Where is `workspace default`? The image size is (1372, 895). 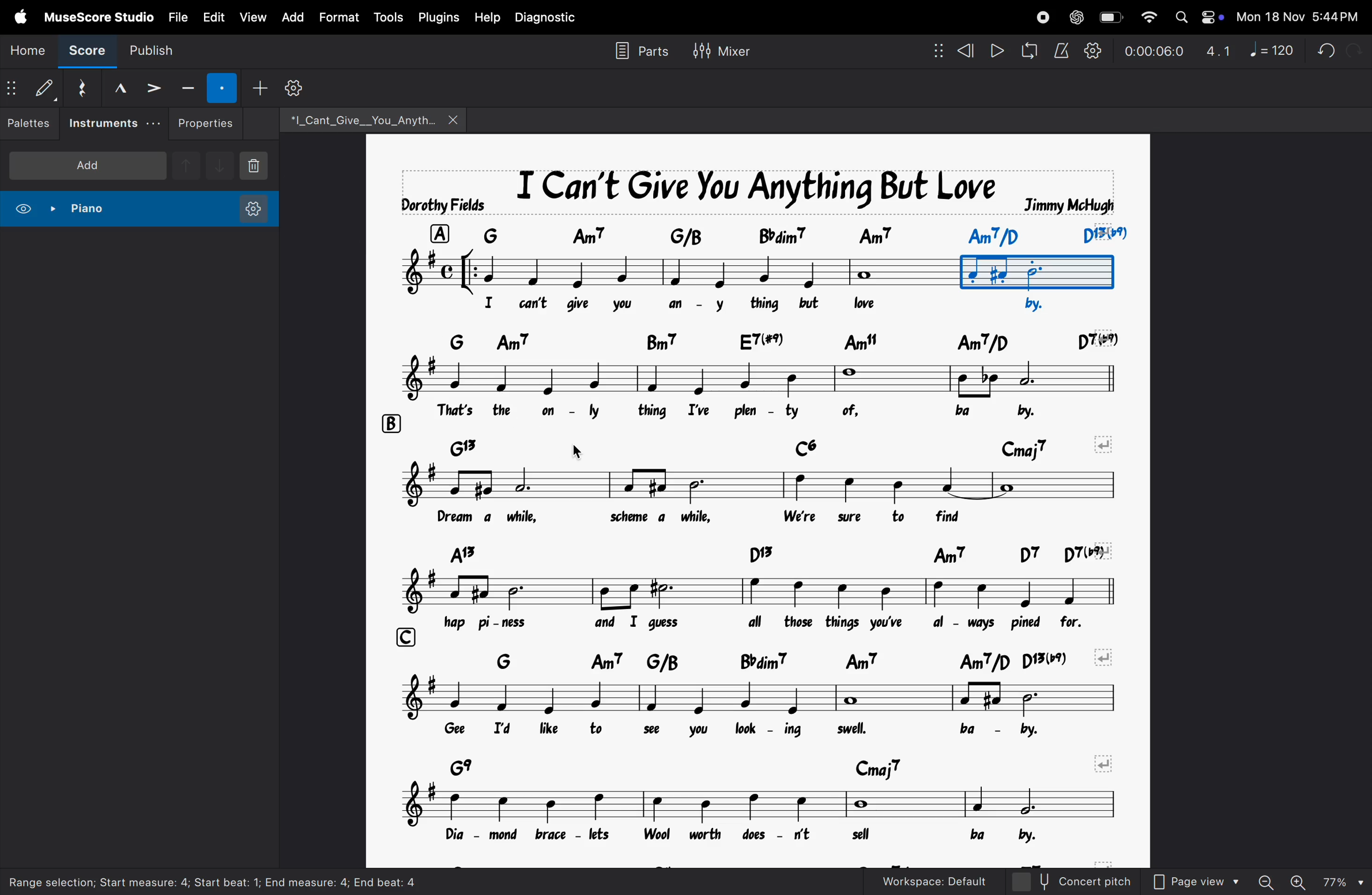 workspace default is located at coordinates (926, 881).